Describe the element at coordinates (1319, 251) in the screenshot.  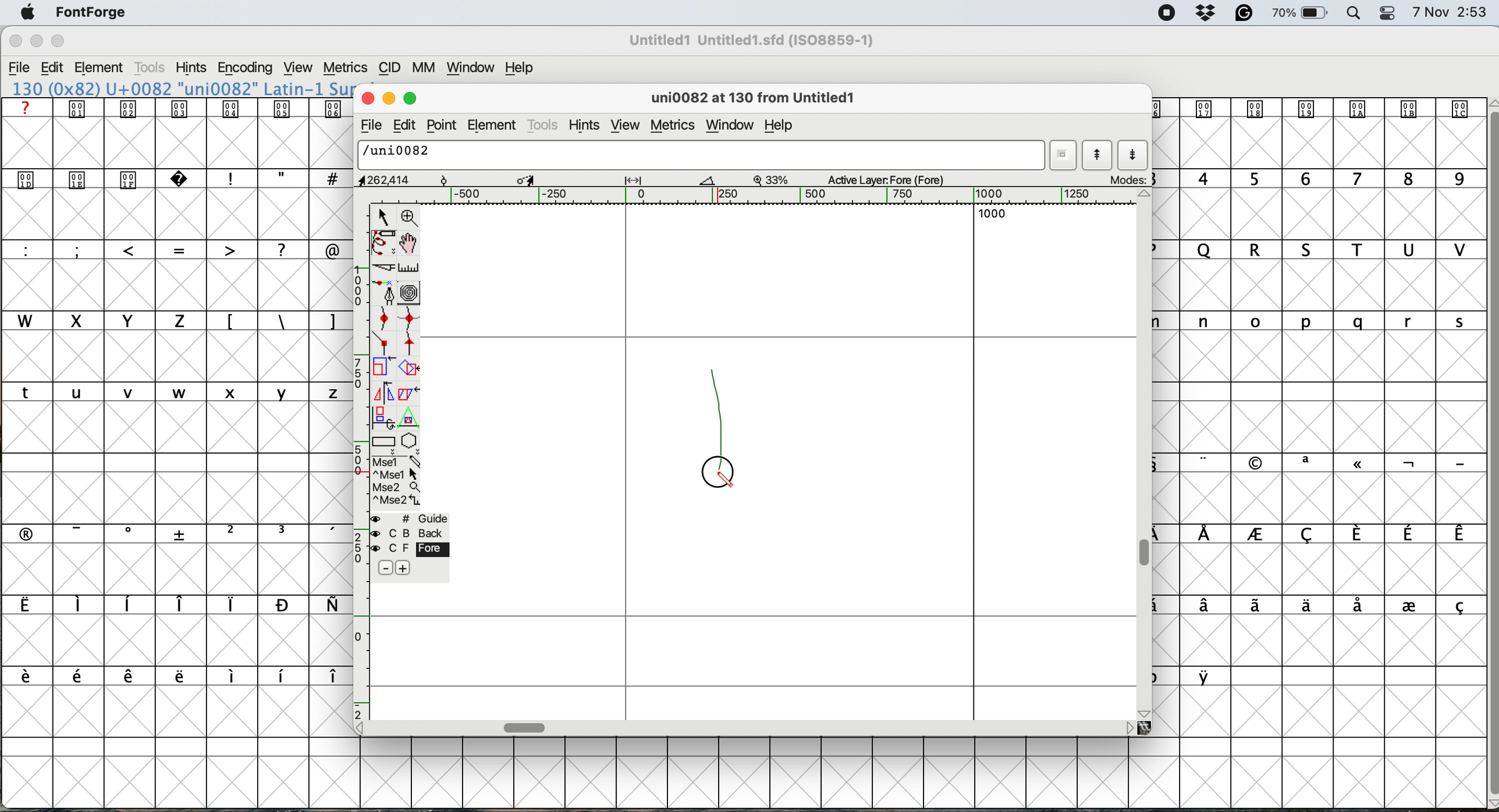
I see `uppercase letters` at that location.